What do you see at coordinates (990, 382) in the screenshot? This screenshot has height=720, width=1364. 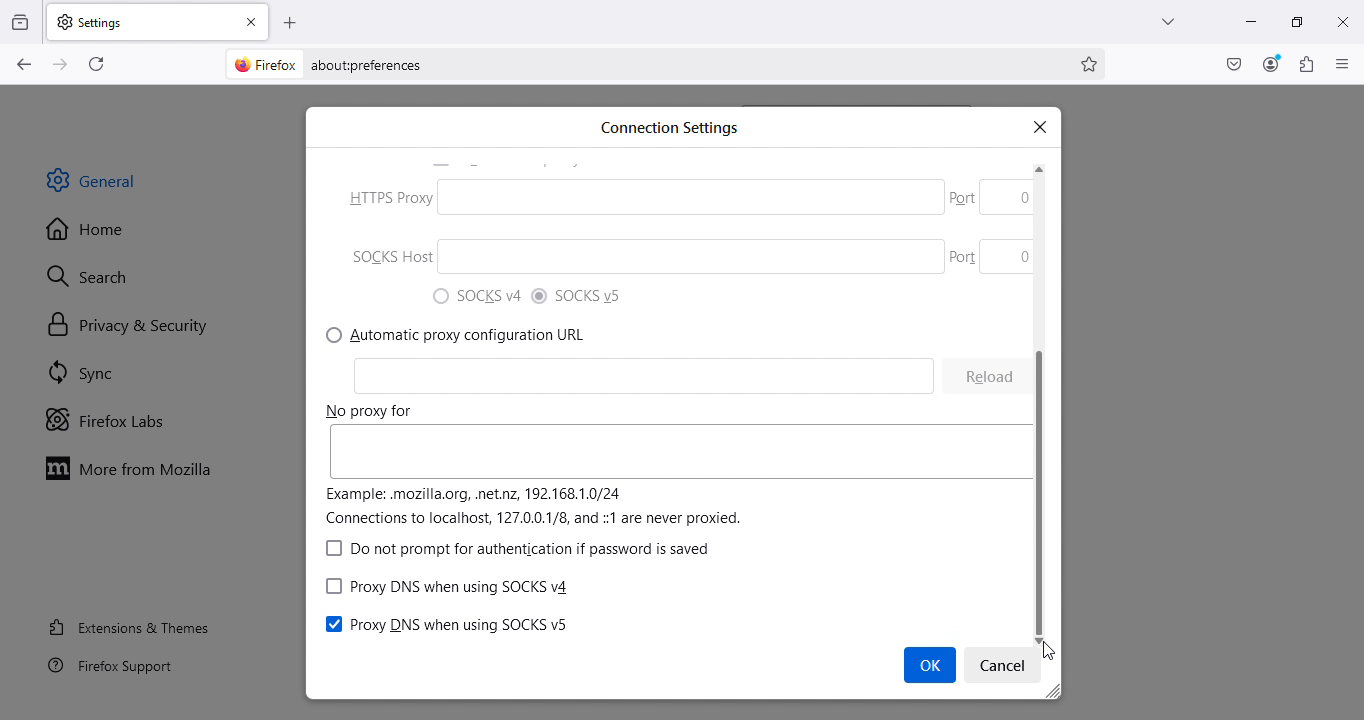 I see `Cleon 0` at bounding box center [990, 382].